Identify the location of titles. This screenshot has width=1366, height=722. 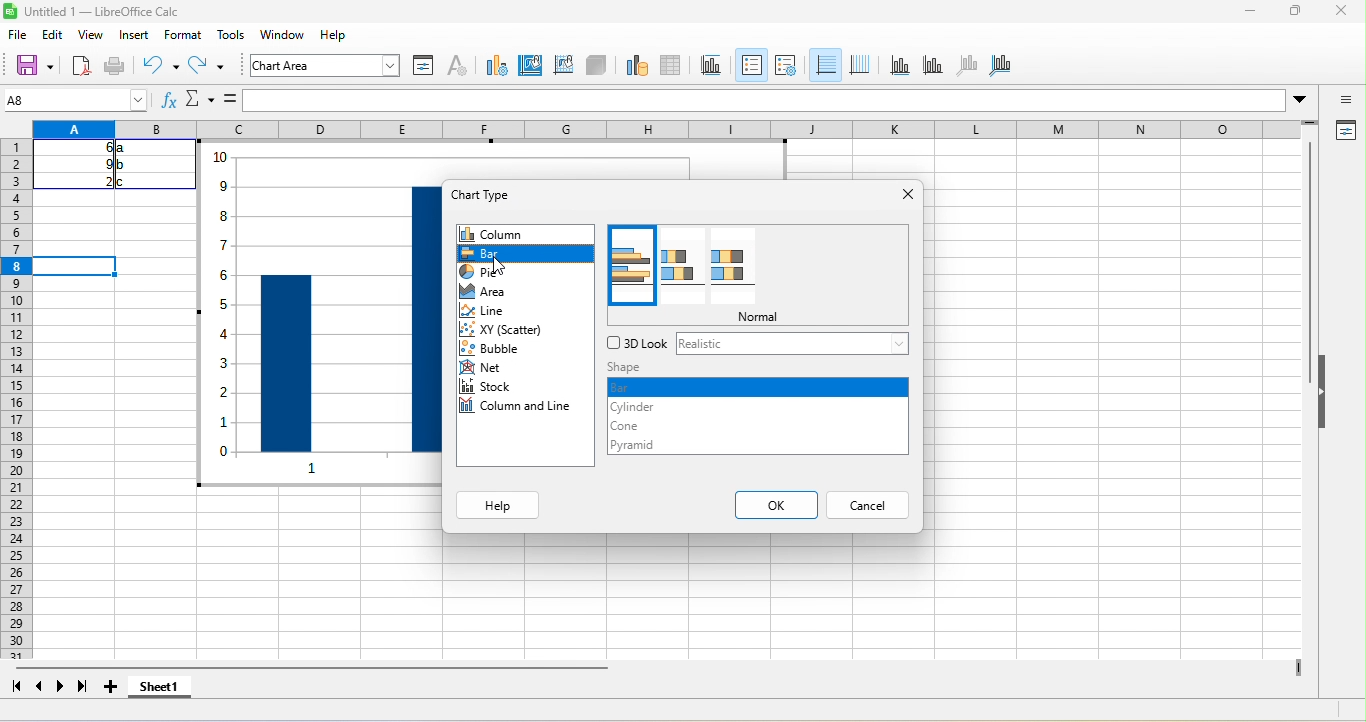
(711, 67).